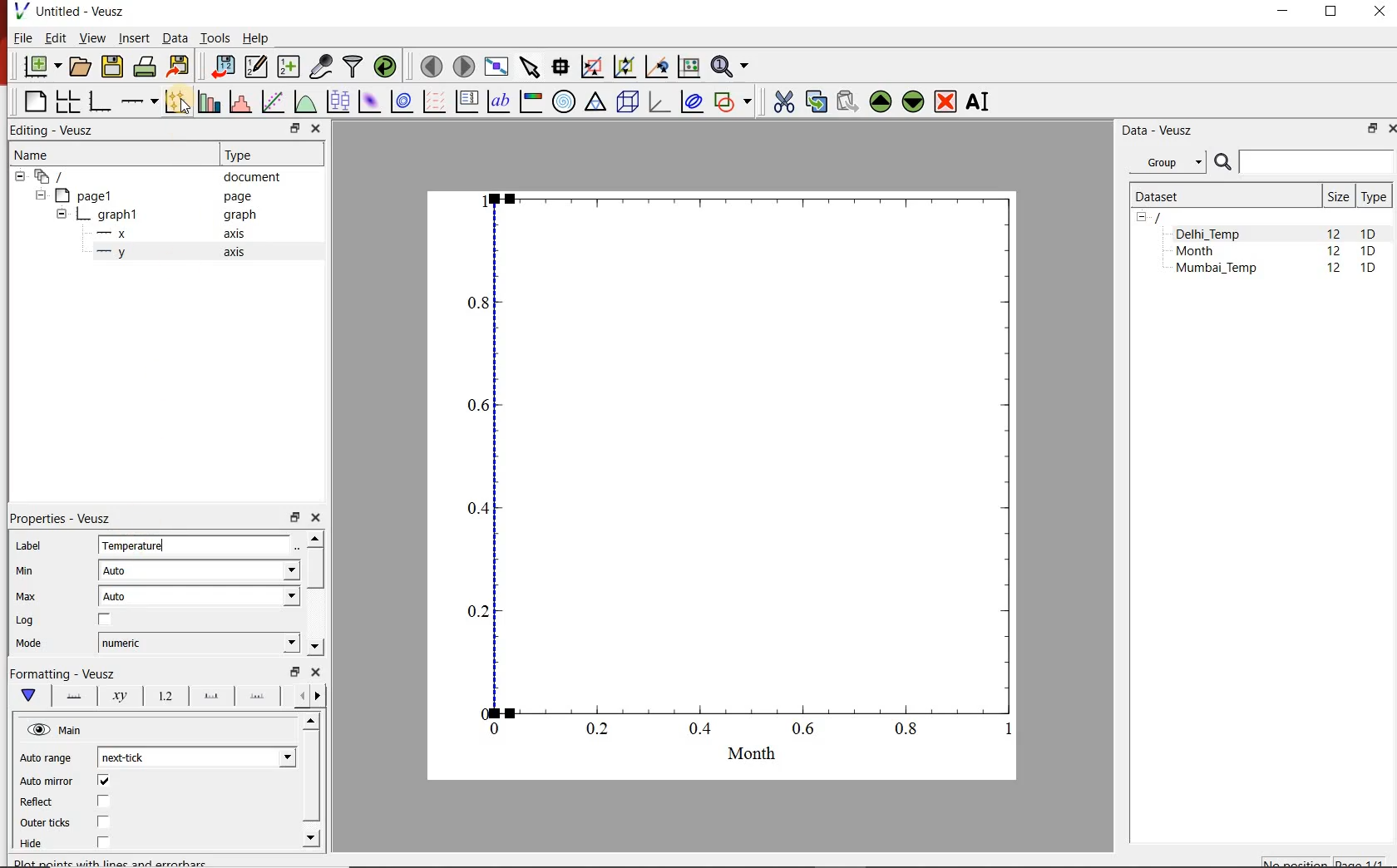  I want to click on Main, so click(57, 730).